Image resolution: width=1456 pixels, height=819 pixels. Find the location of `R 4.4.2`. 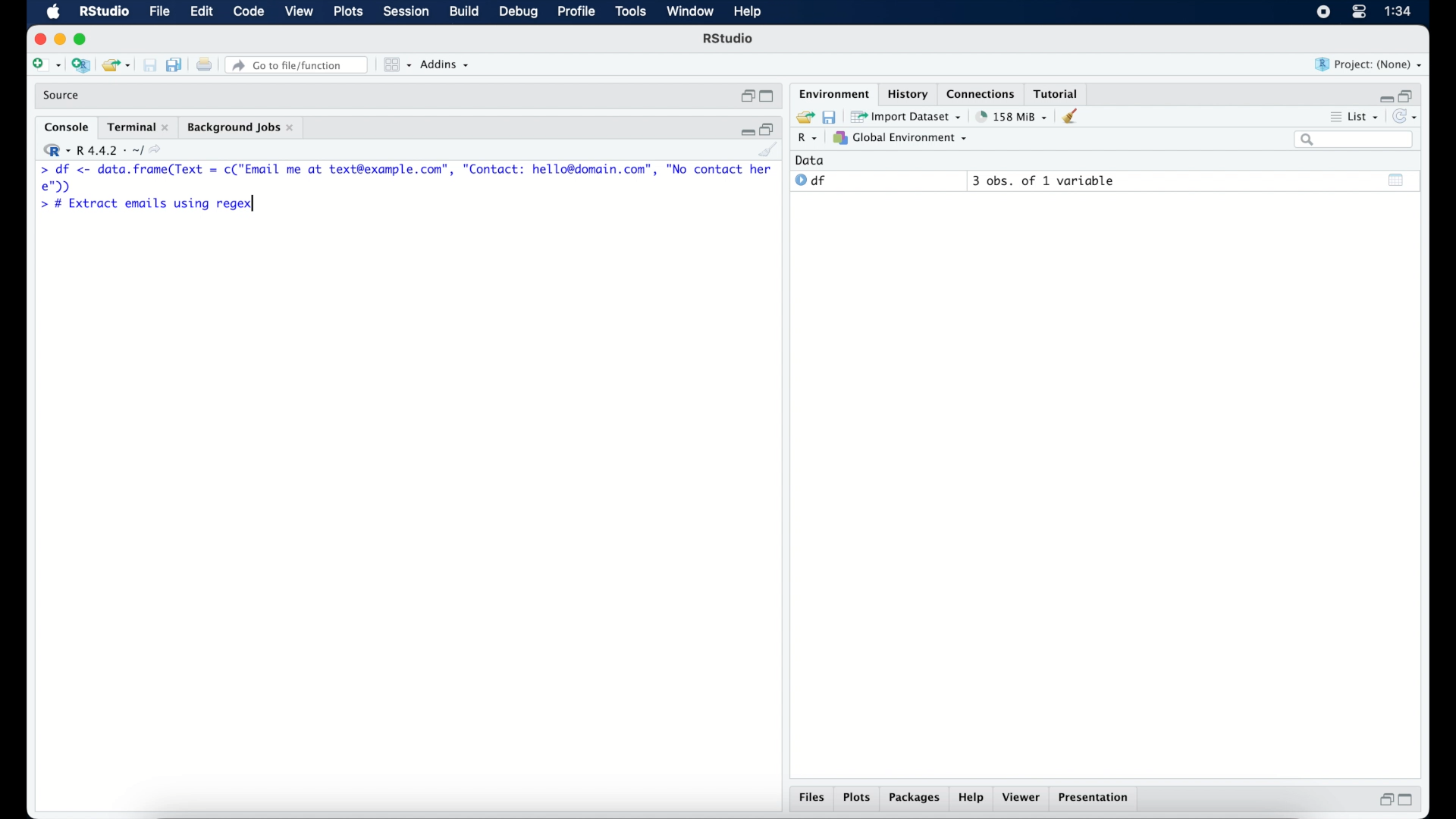

R 4.4.2 is located at coordinates (105, 150).